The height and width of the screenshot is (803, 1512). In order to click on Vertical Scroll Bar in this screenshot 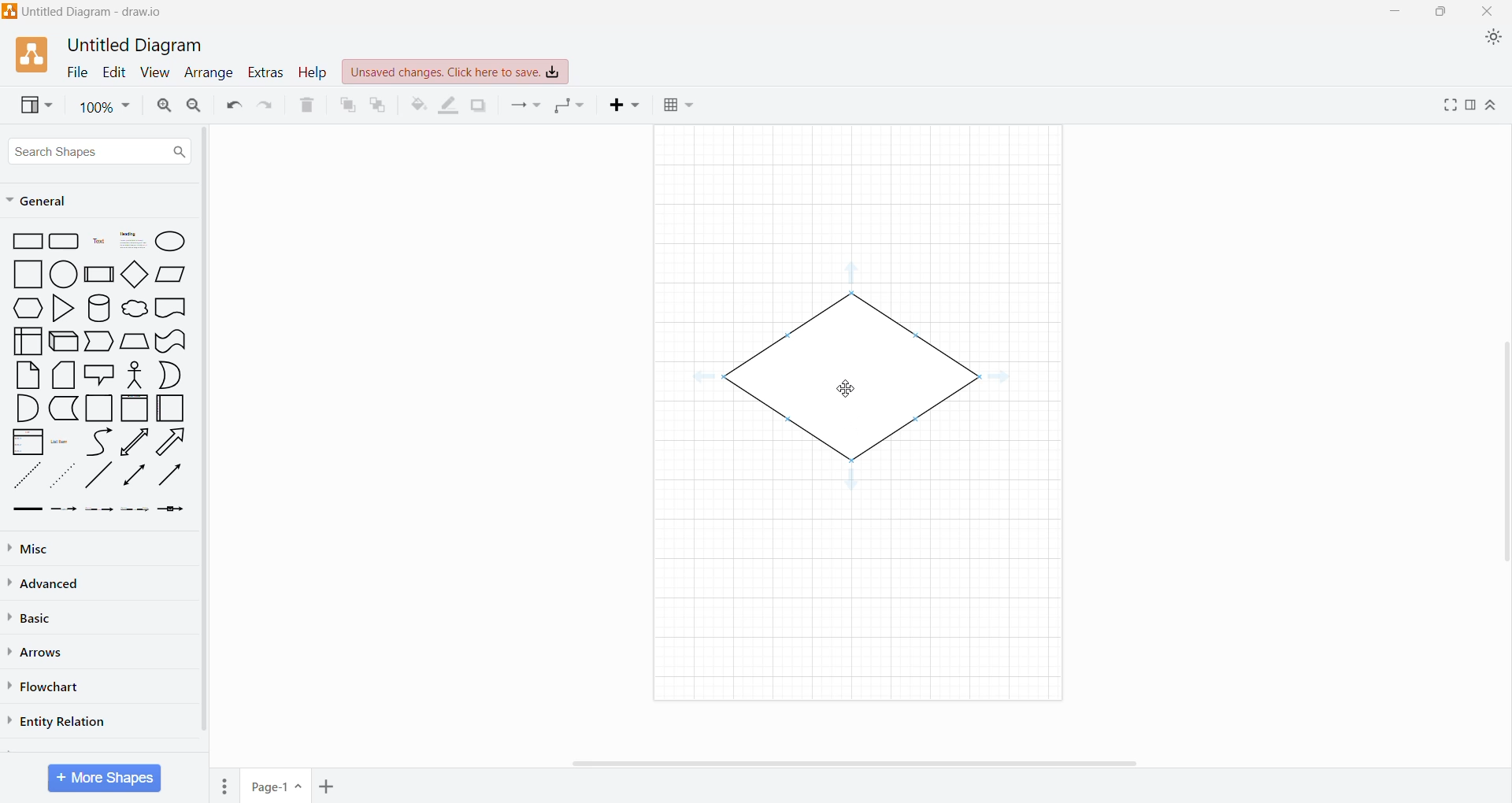, I will do `click(1502, 447)`.